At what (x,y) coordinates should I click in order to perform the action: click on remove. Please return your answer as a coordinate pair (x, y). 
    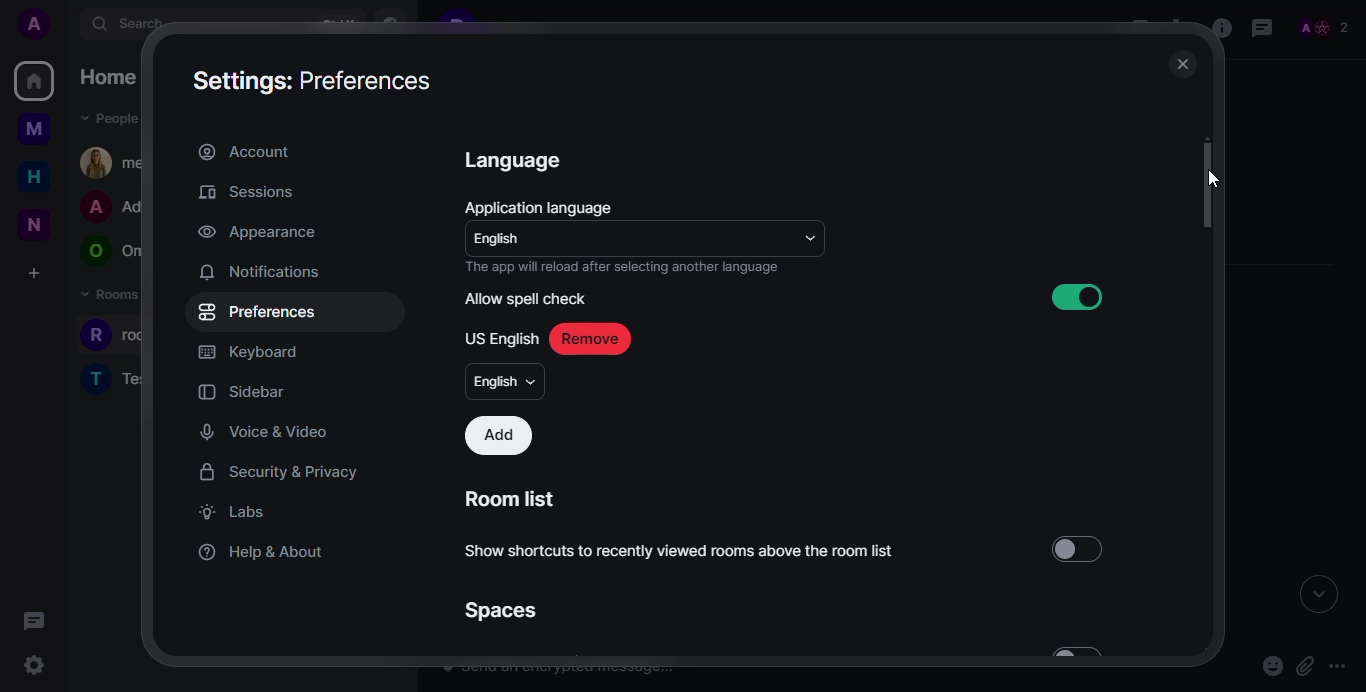
    Looking at the image, I should click on (589, 339).